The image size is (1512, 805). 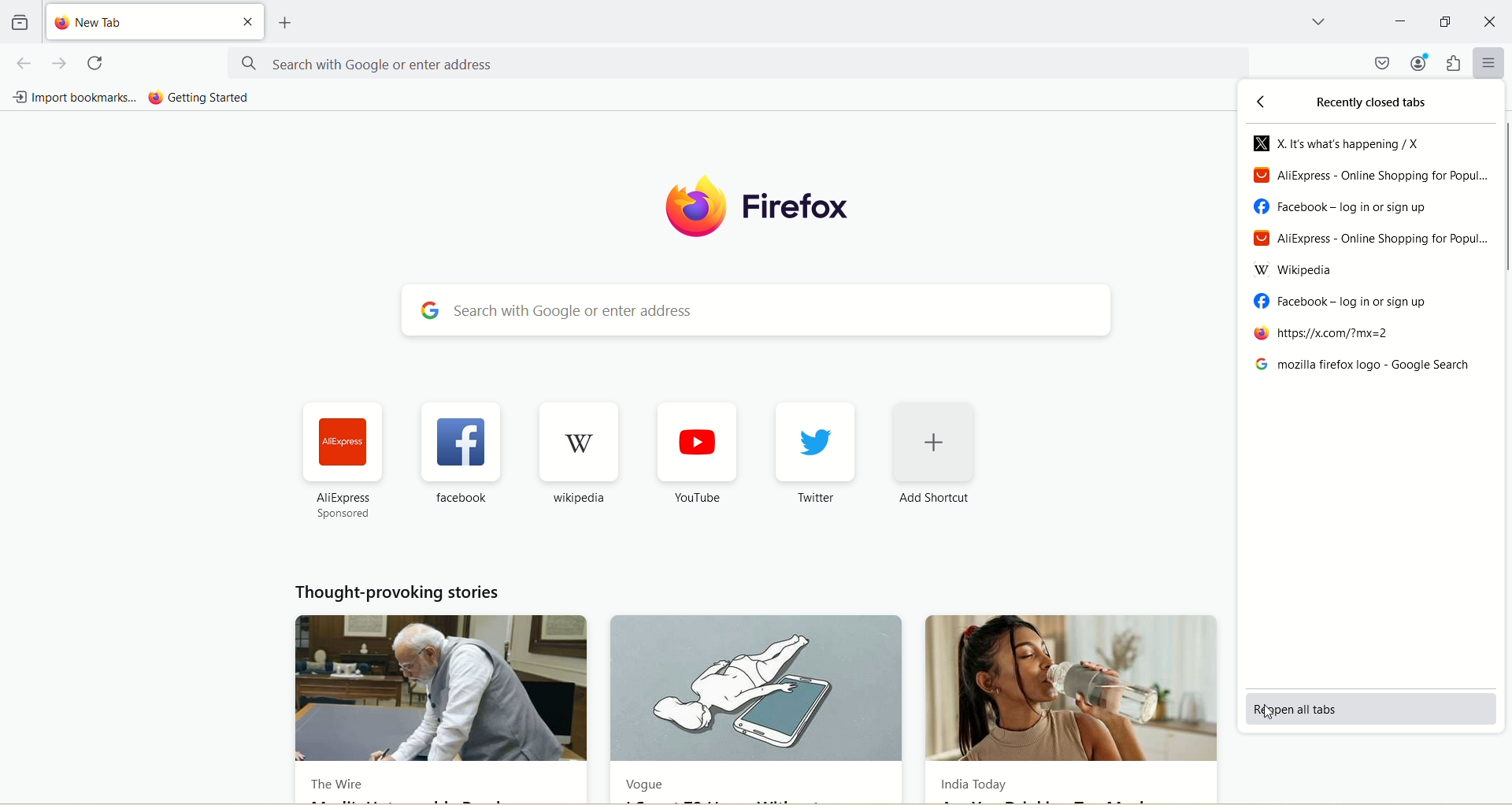 What do you see at coordinates (135, 22) in the screenshot?
I see `new tab` at bounding box center [135, 22].